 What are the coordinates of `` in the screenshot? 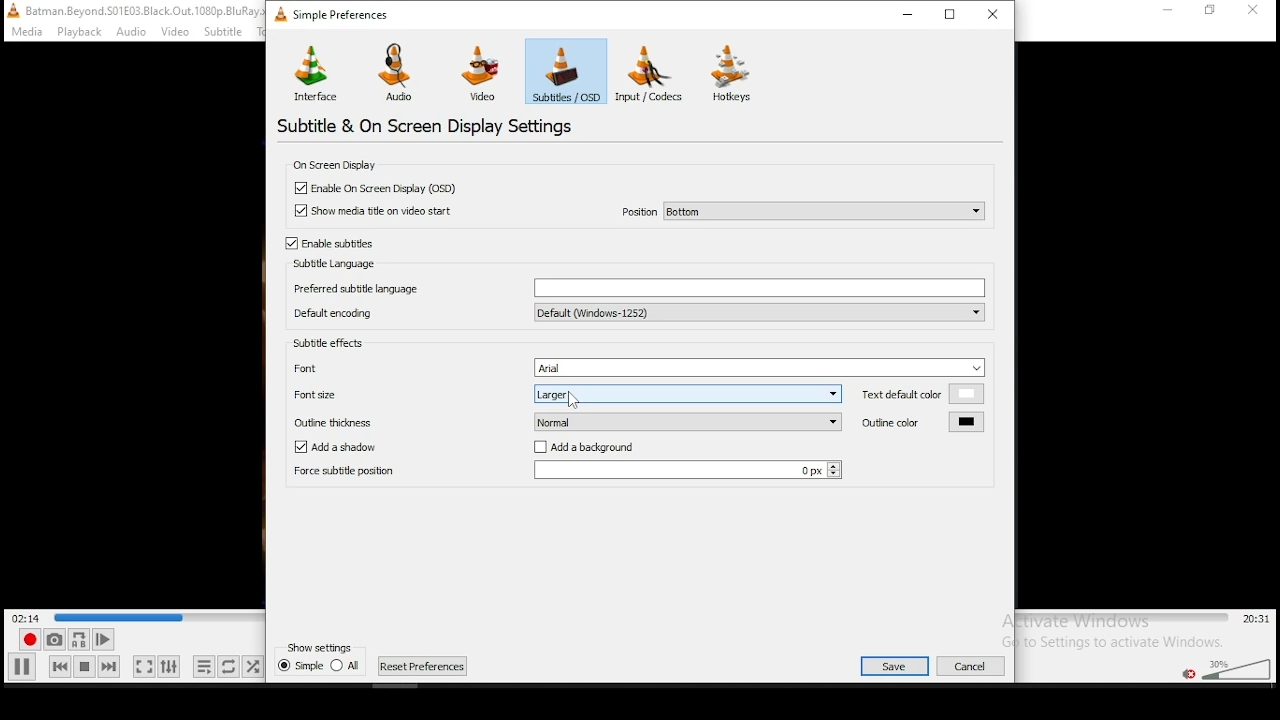 It's located at (130, 10).